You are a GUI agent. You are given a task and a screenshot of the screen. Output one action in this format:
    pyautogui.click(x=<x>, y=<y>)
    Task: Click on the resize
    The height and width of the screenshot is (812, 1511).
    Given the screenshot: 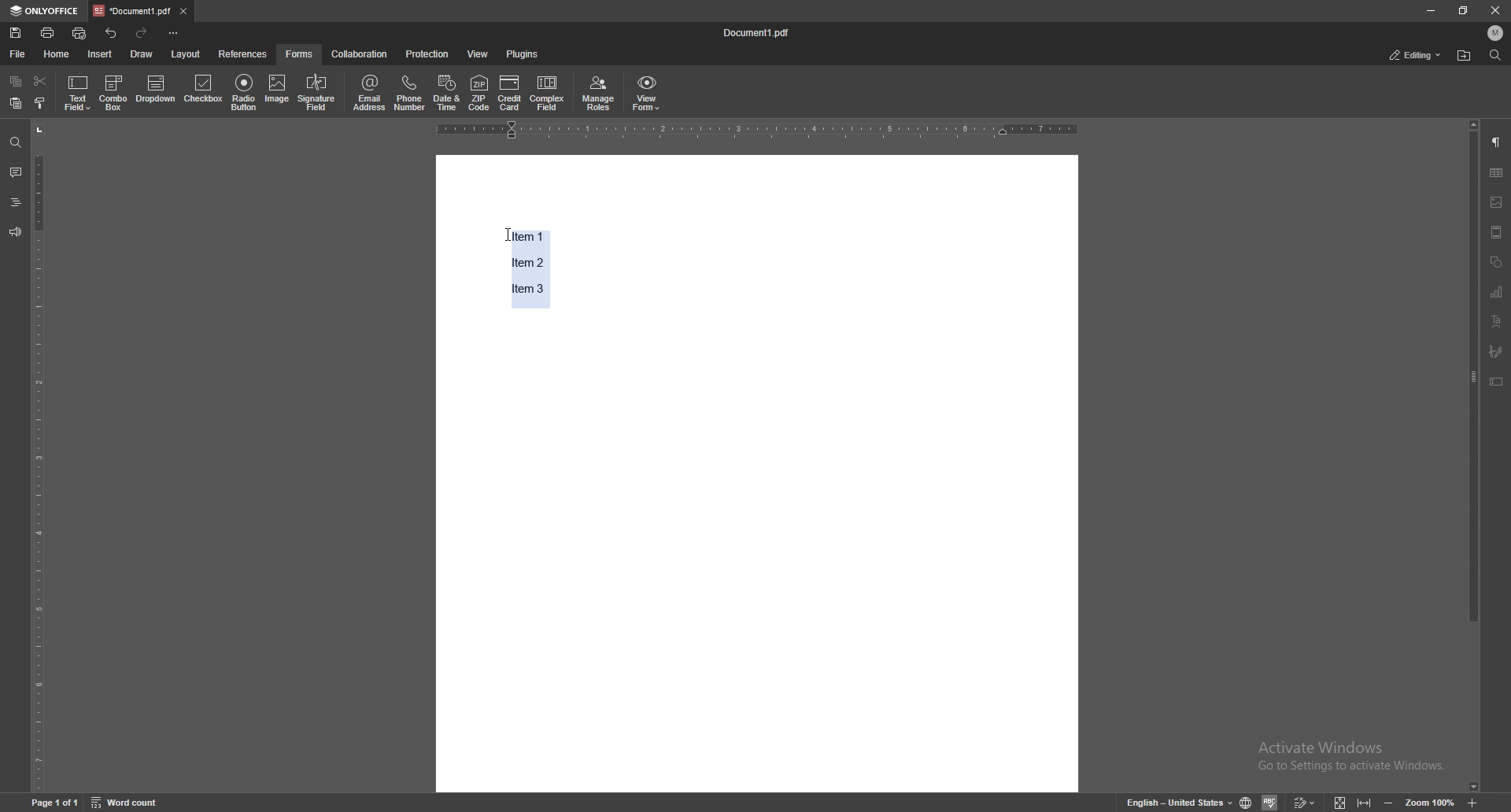 What is the action you would take?
    pyautogui.click(x=1463, y=10)
    